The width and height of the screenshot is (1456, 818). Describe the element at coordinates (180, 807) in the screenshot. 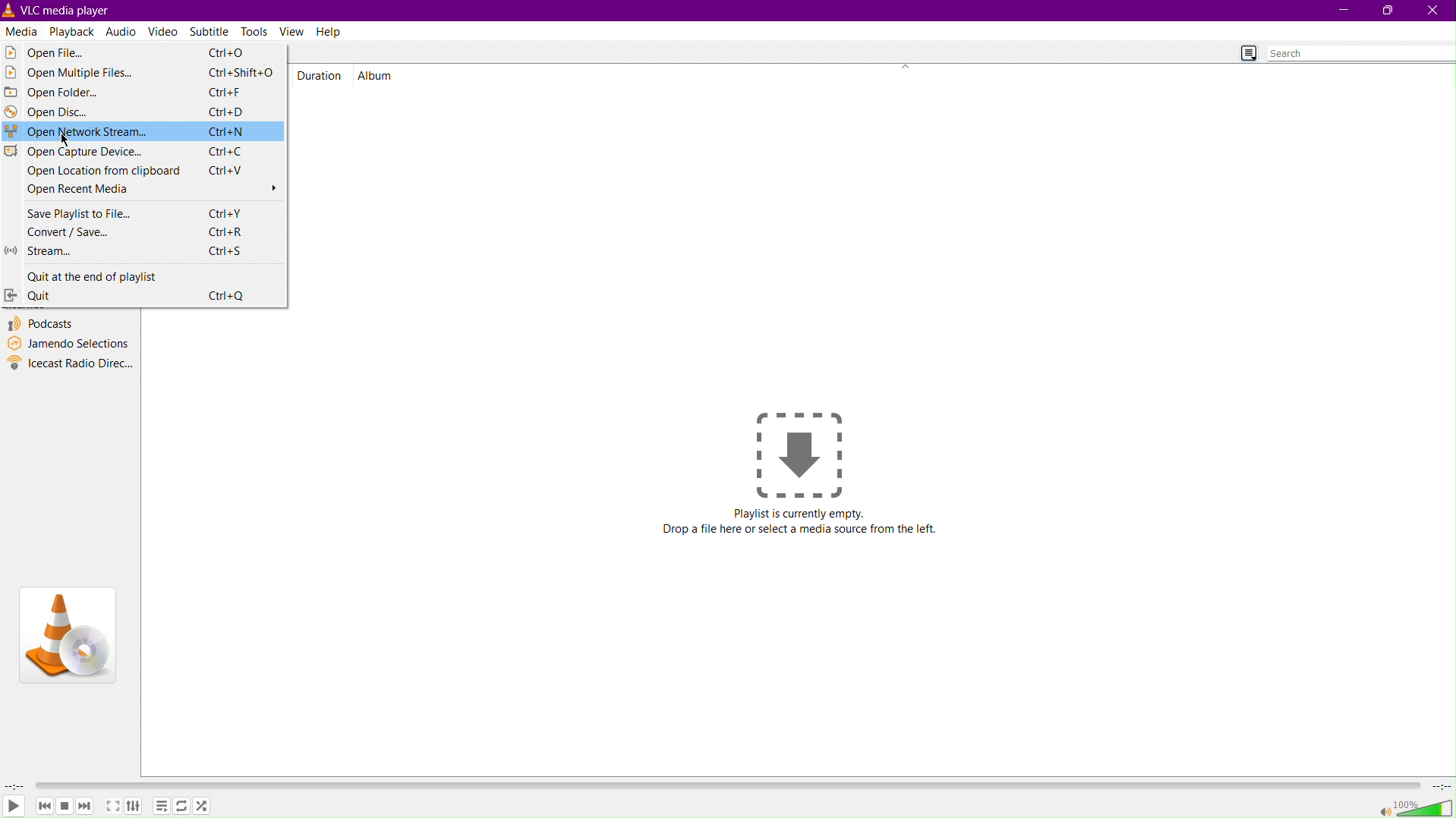

I see `Toggle Loop` at that location.